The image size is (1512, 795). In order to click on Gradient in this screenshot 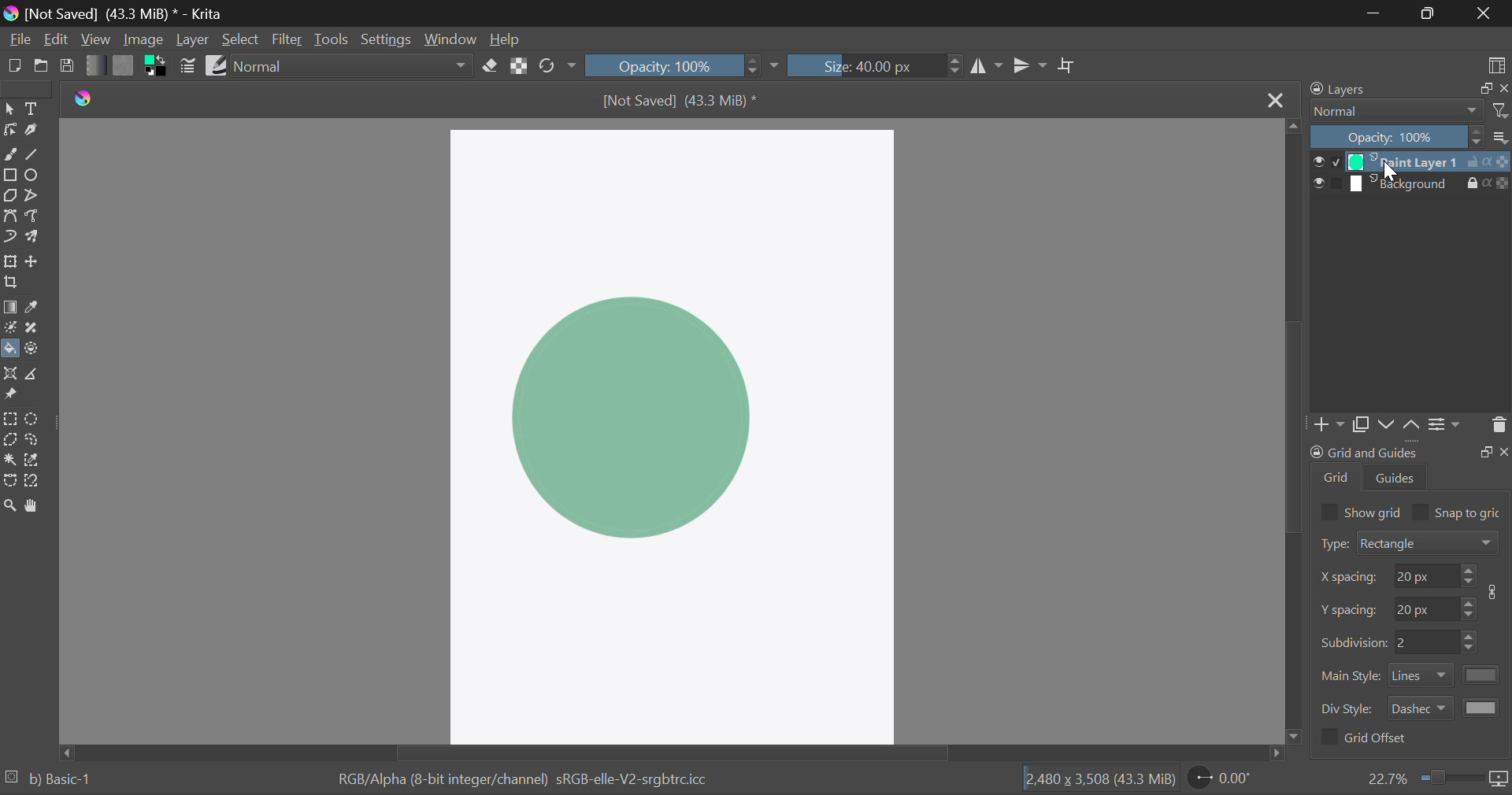, I will do `click(91, 65)`.